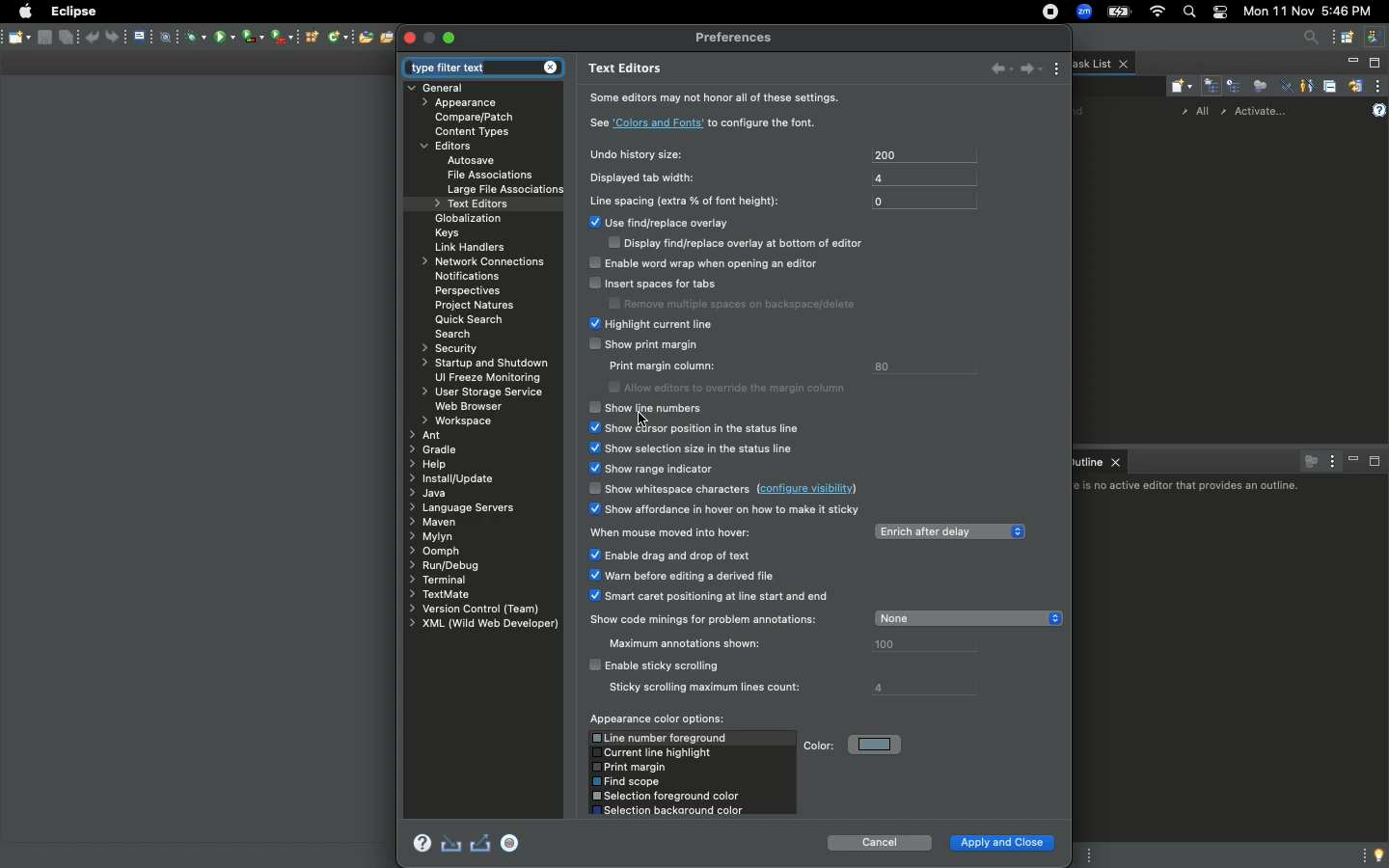 This screenshot has width=1389, height=868. I want to click on Recording, so click(1047, 12).